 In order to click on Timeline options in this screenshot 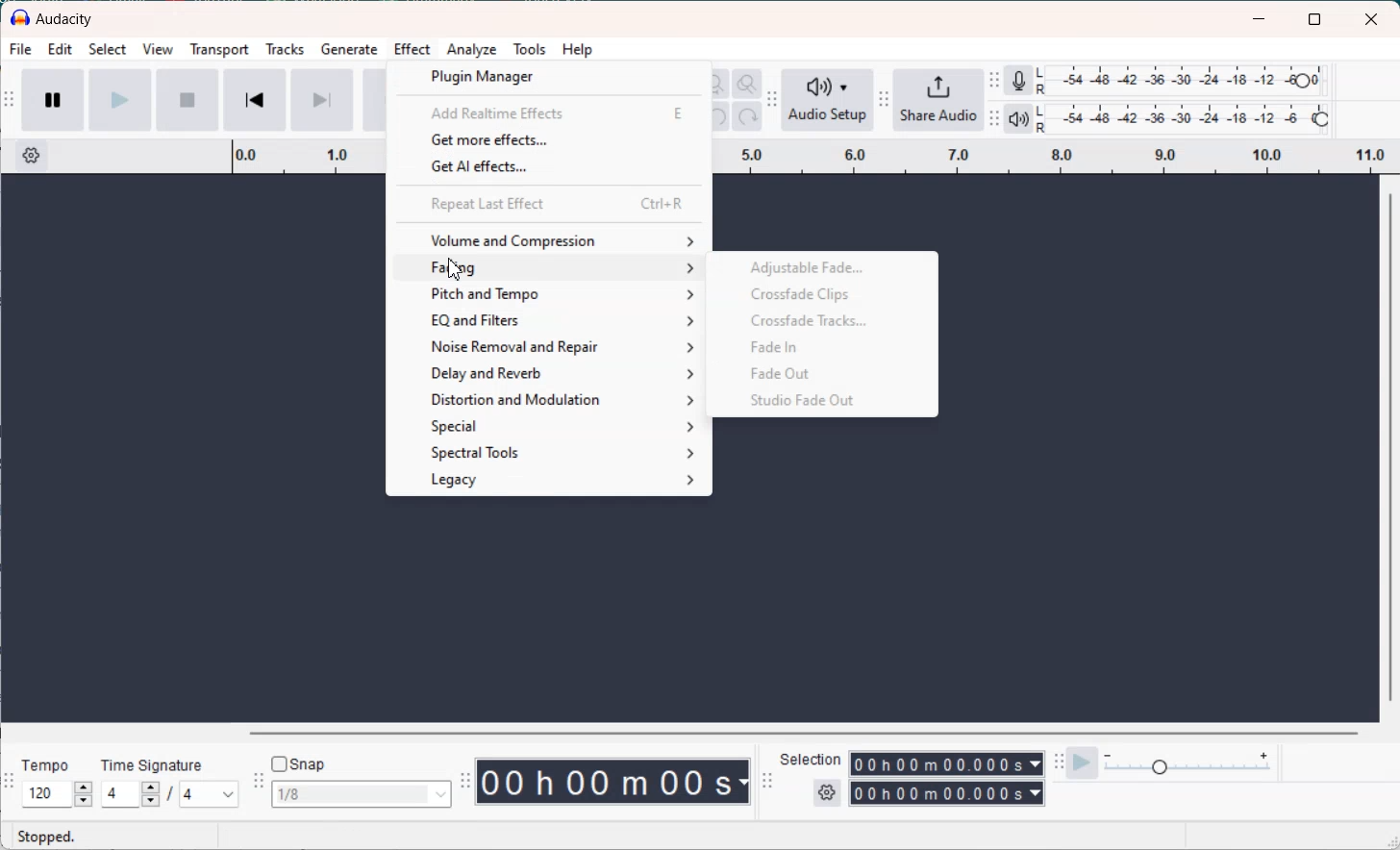, I will do `click(31, 155)`.